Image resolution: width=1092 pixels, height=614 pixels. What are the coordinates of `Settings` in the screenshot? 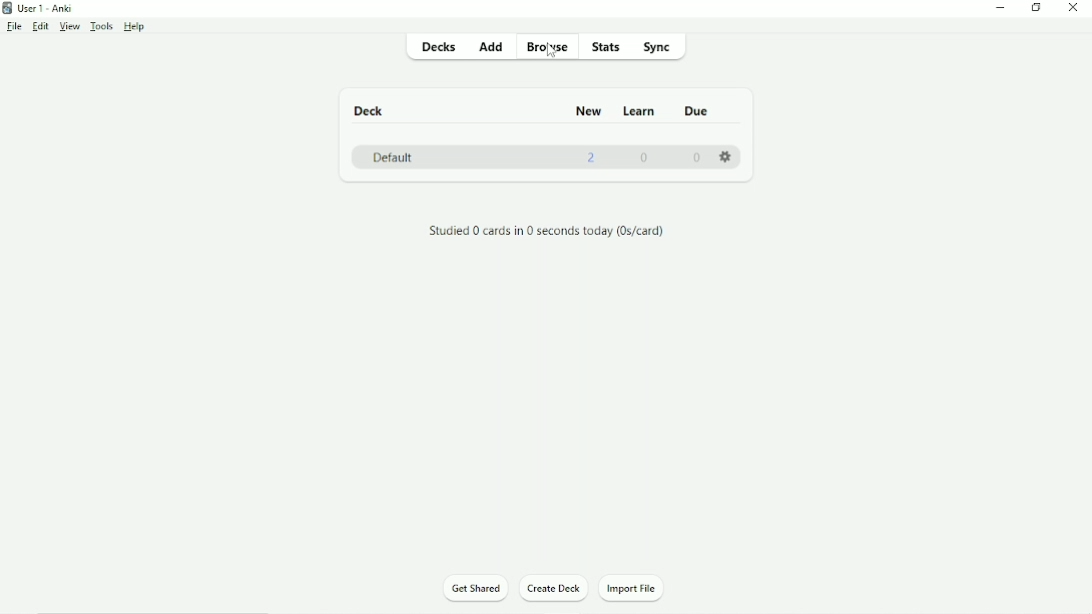 It's located at (727, 158).